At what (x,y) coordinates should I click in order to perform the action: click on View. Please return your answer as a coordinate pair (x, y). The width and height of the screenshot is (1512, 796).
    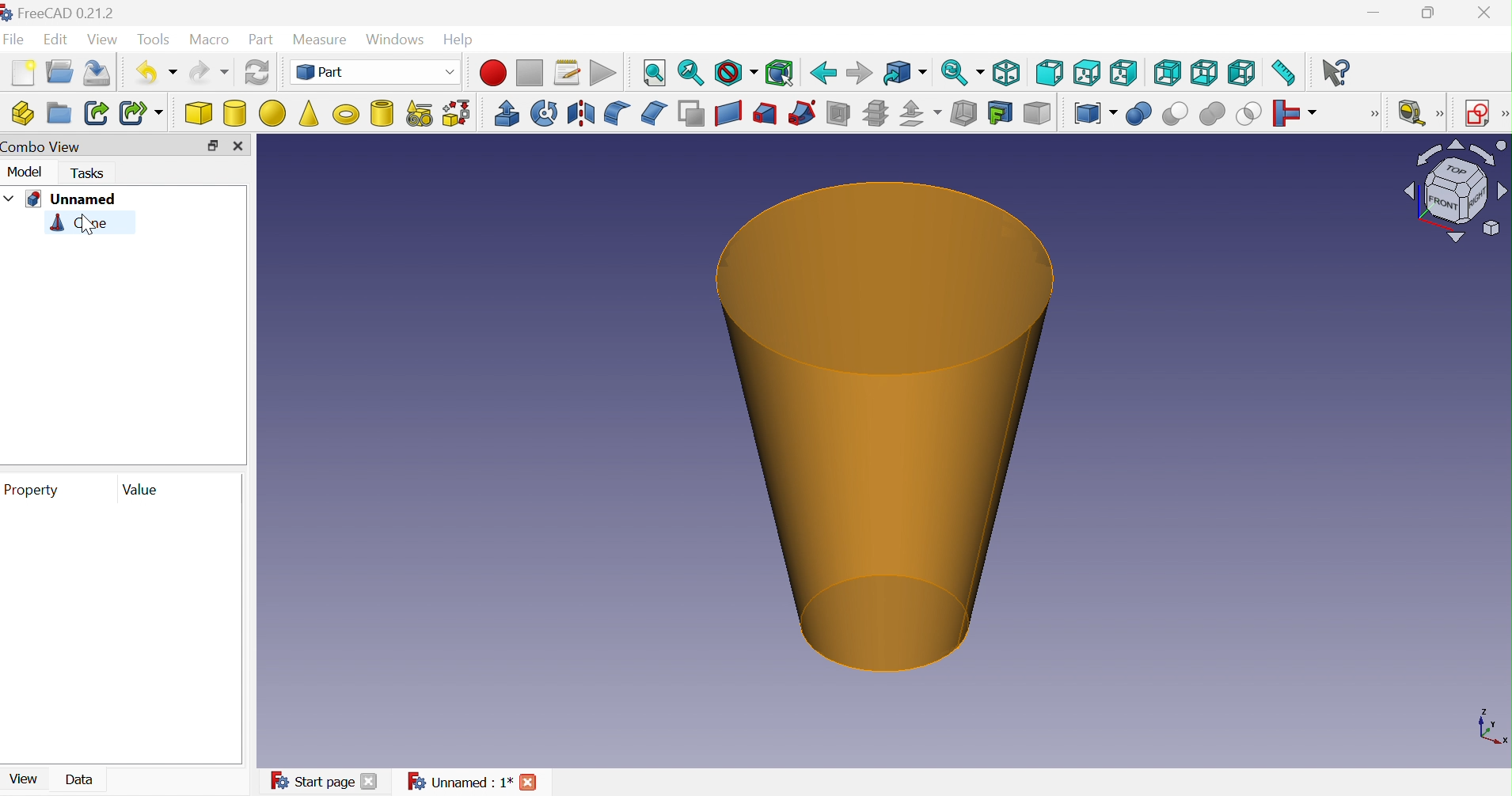
    Looking at the image, I should click on (20, 783).